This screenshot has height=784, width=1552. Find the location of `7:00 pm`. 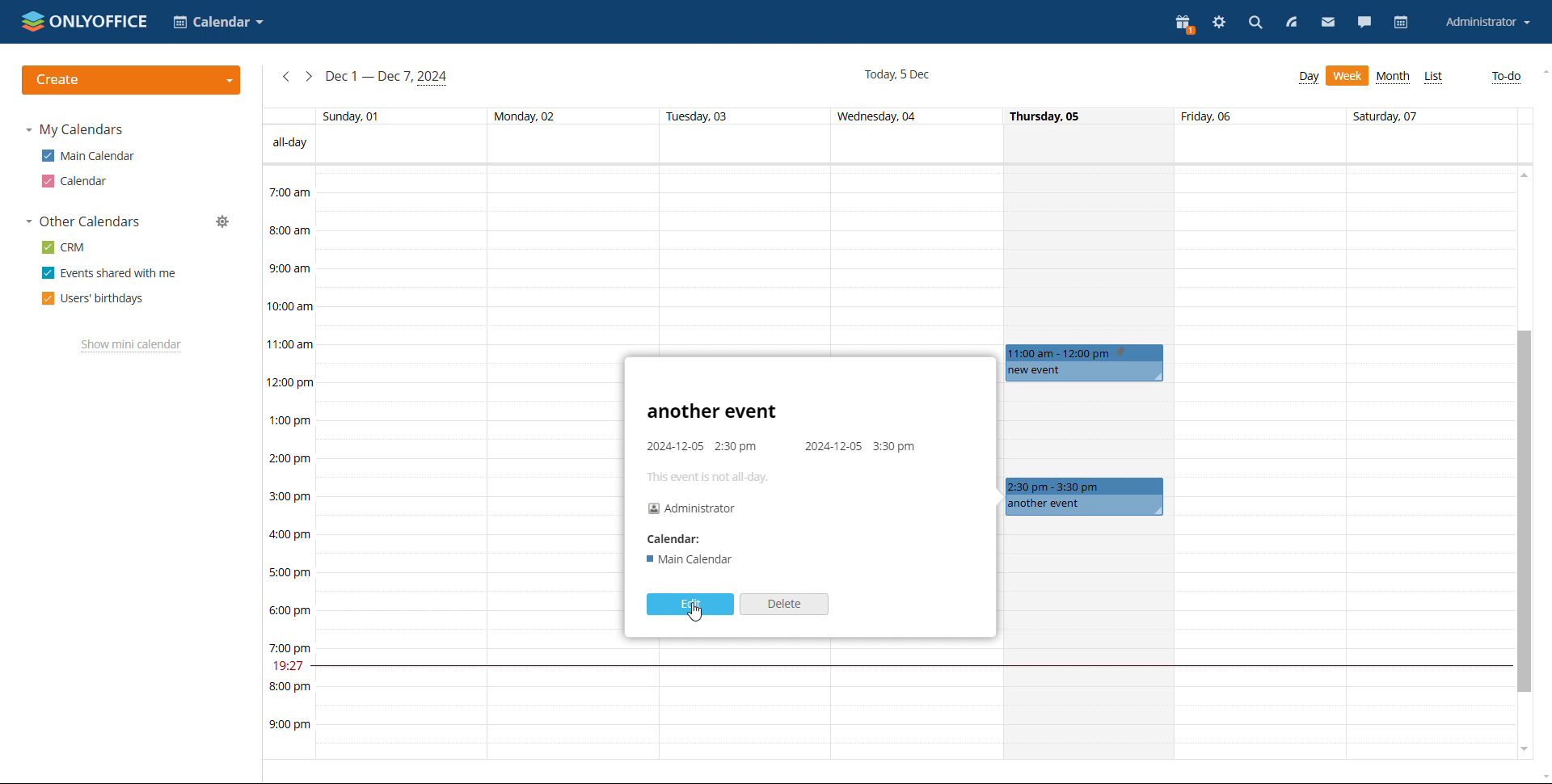

7:00 pm is located at coordinates (289, 648).